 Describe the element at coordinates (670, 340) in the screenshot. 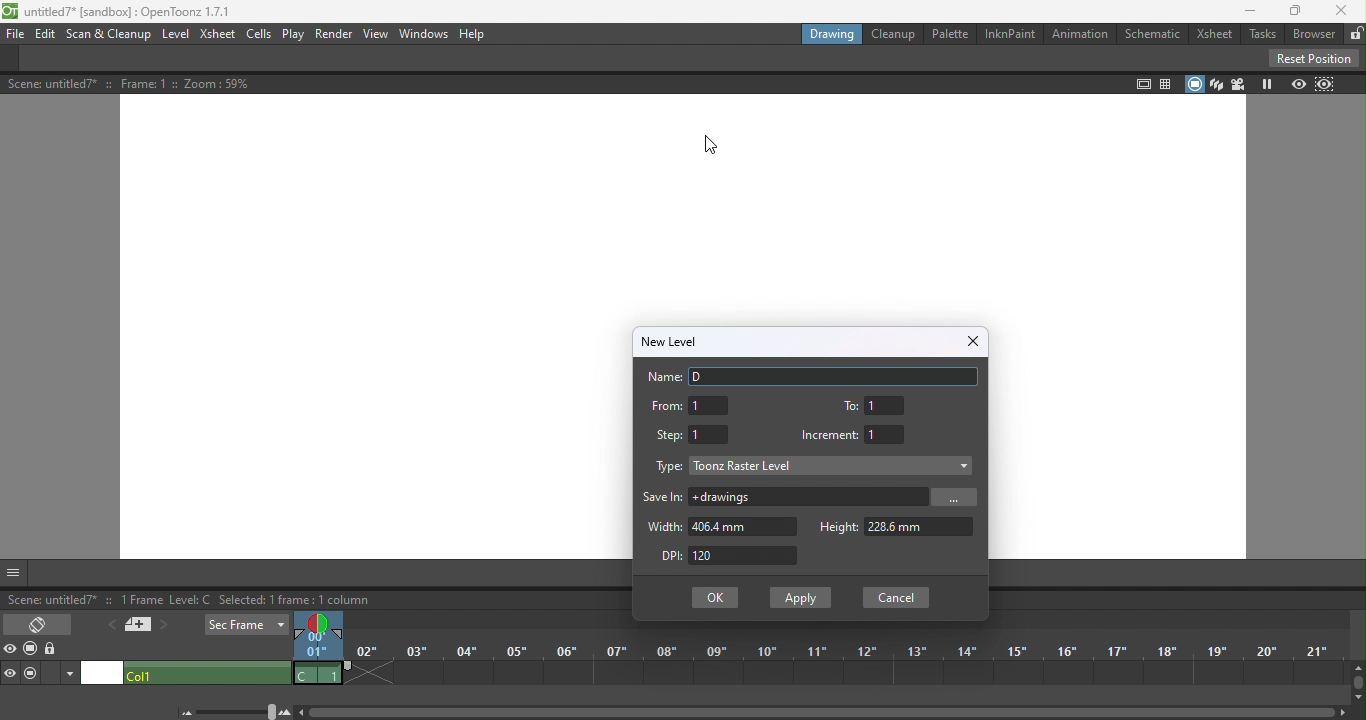

I see `New Level` at that location.